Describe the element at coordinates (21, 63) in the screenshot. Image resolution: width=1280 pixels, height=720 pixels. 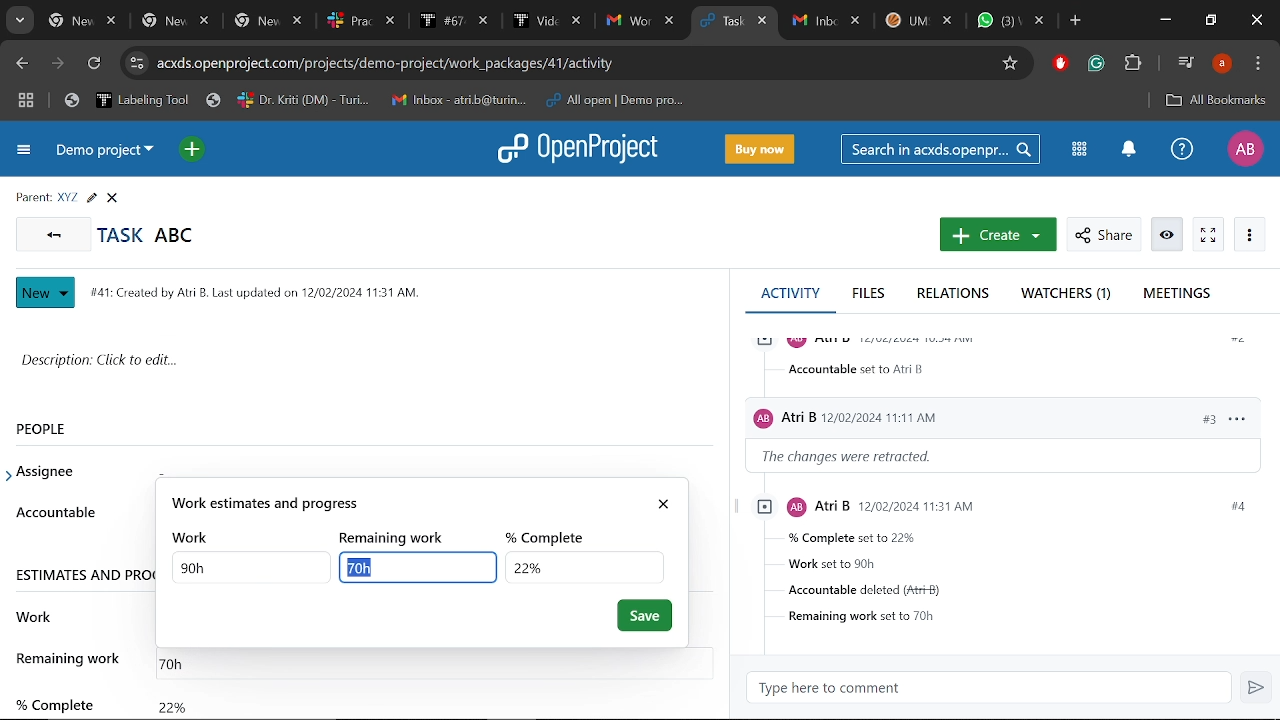
I see `Previous page` at that location.